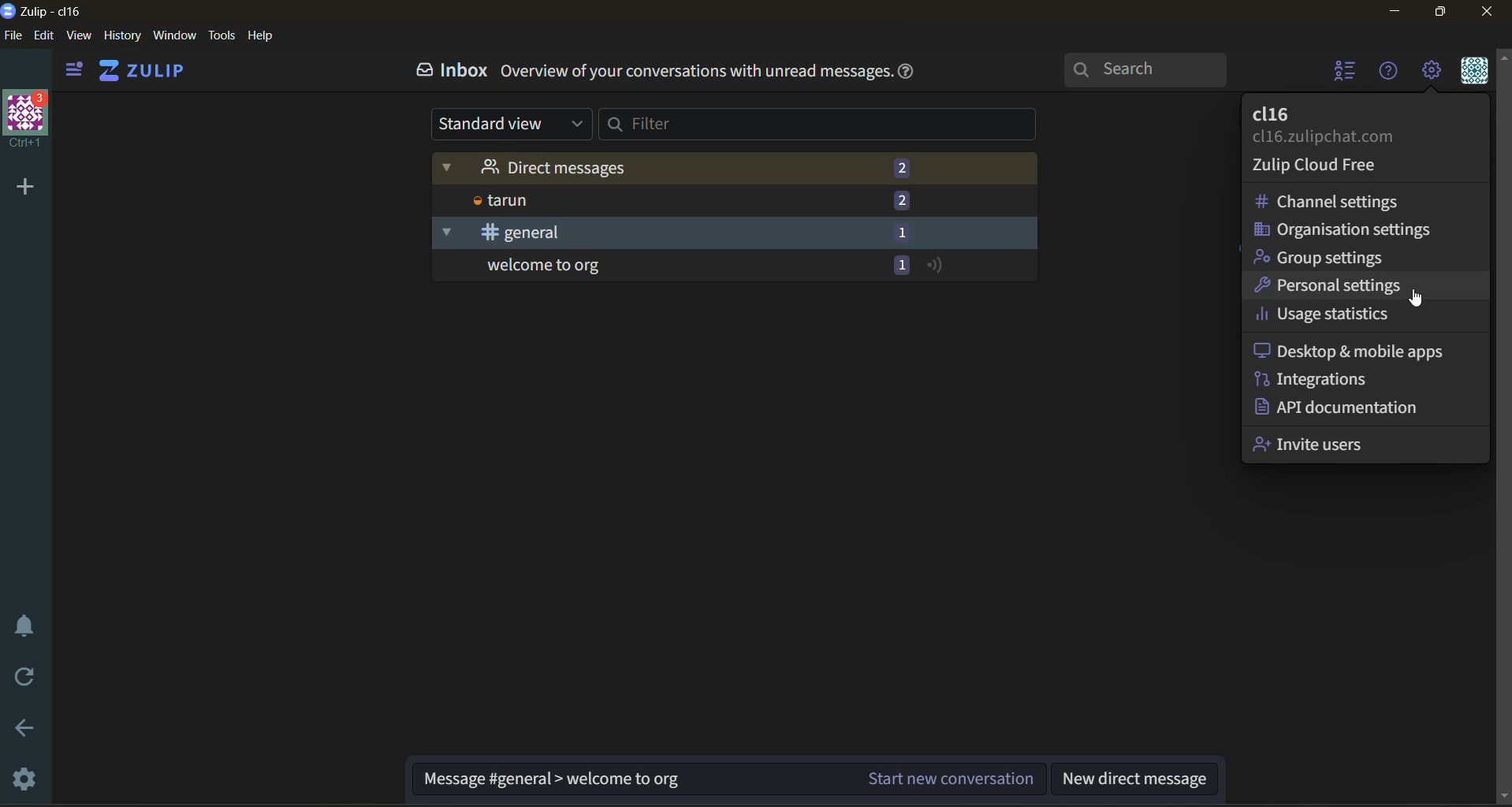 The width and height of the screenshot is (1512, 807). I want to click on maximize, so click(1437, 13).